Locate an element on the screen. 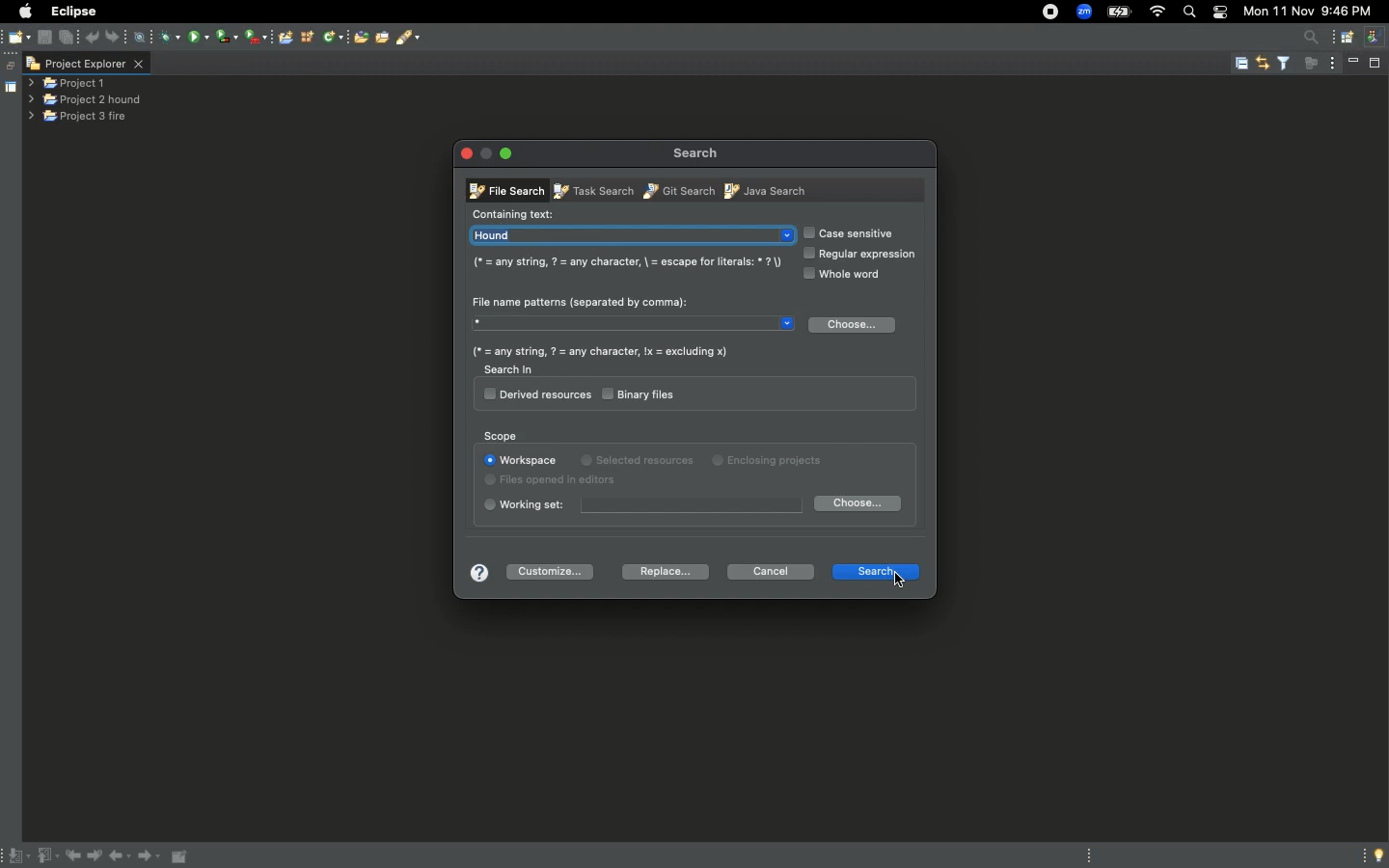  shared area is located at coordinates (1, 88).